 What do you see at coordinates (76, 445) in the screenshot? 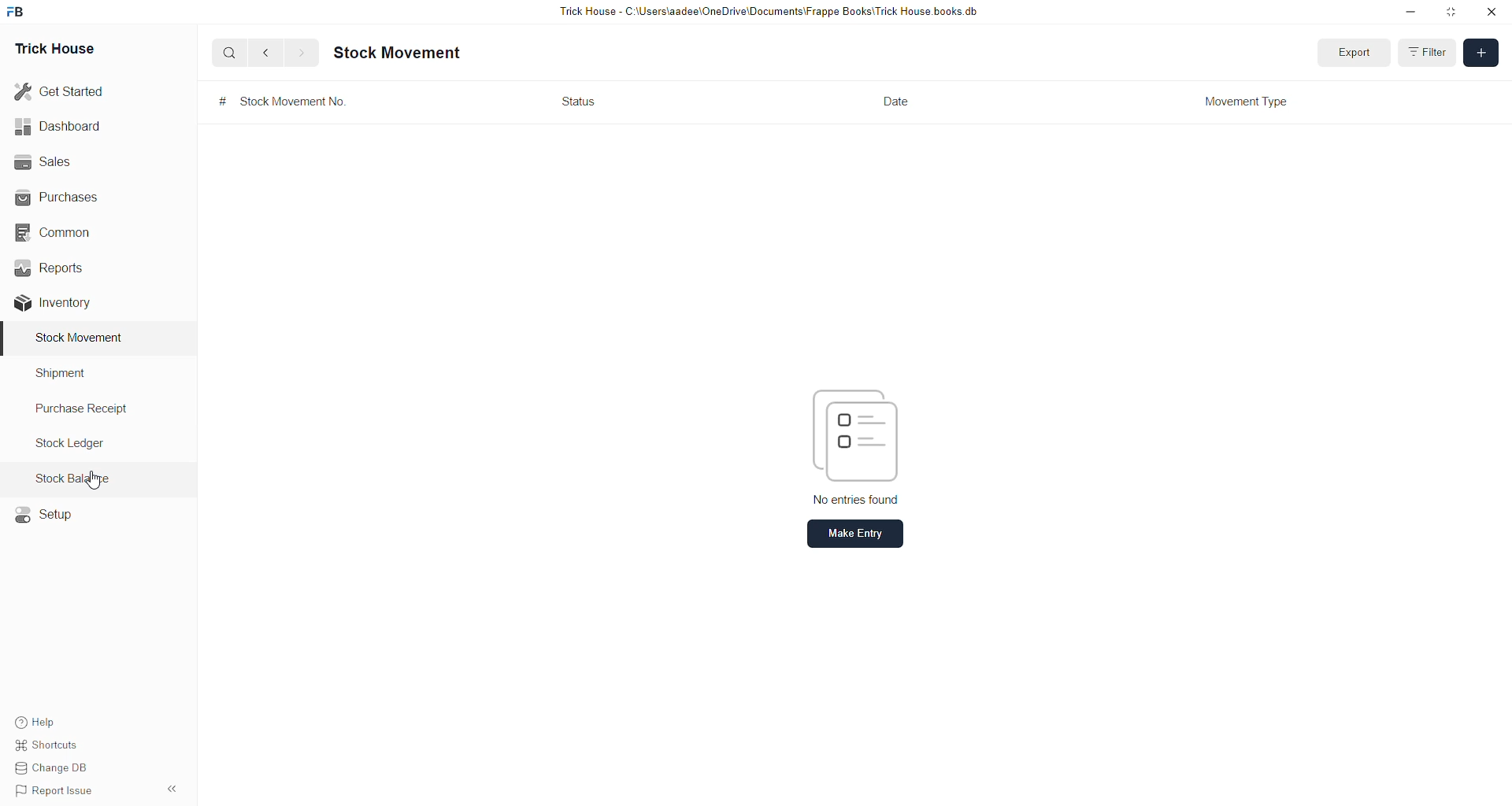
I see `Stock ledger` at bounding box center [76, 445].